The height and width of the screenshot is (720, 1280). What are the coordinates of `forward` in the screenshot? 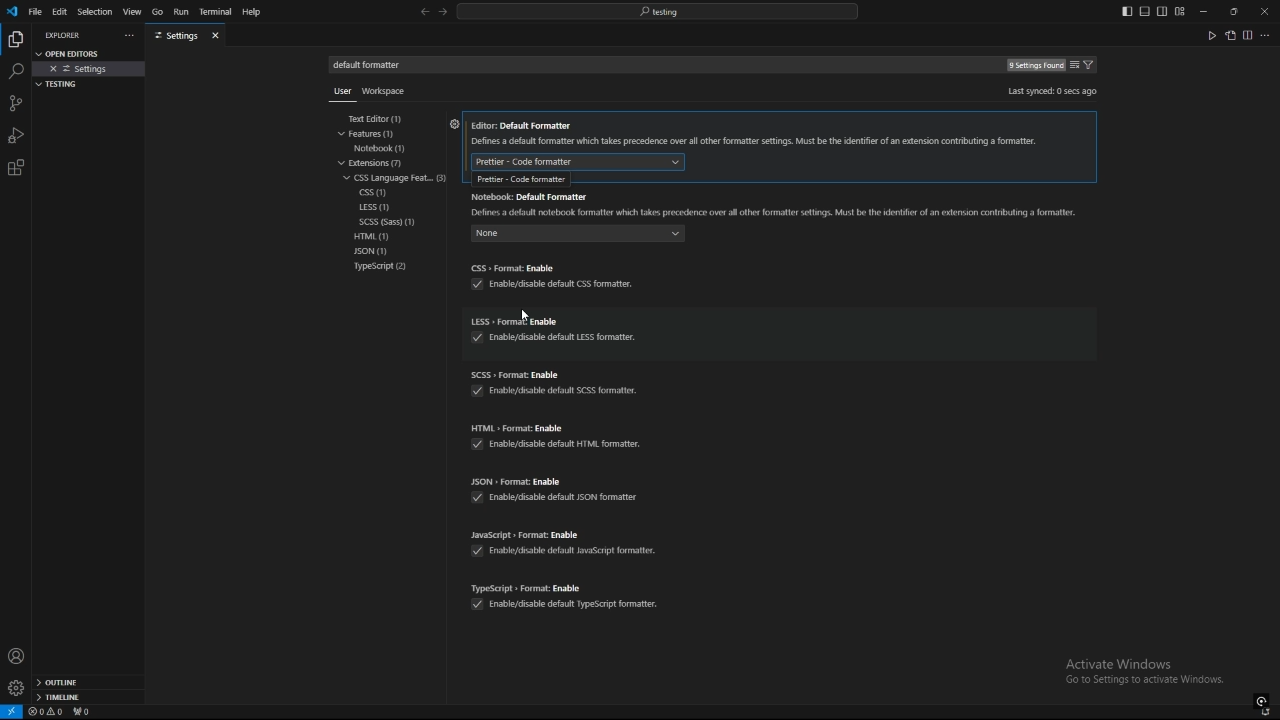 It's located at (443, 13).